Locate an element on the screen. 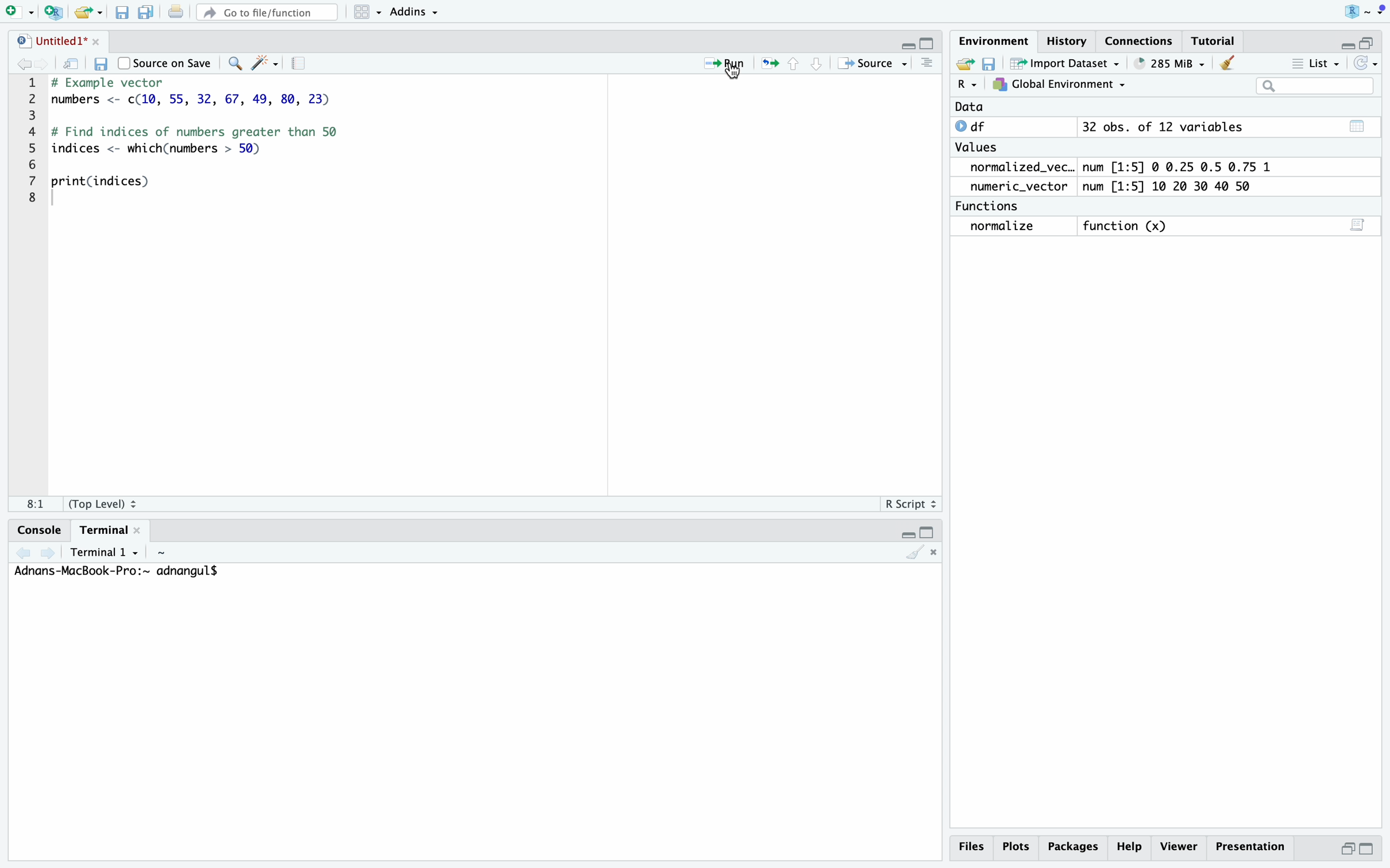 Image resolution: width=1390 pixels, height=868 pixels. REFRESH is located at coordinates (1368, 63).